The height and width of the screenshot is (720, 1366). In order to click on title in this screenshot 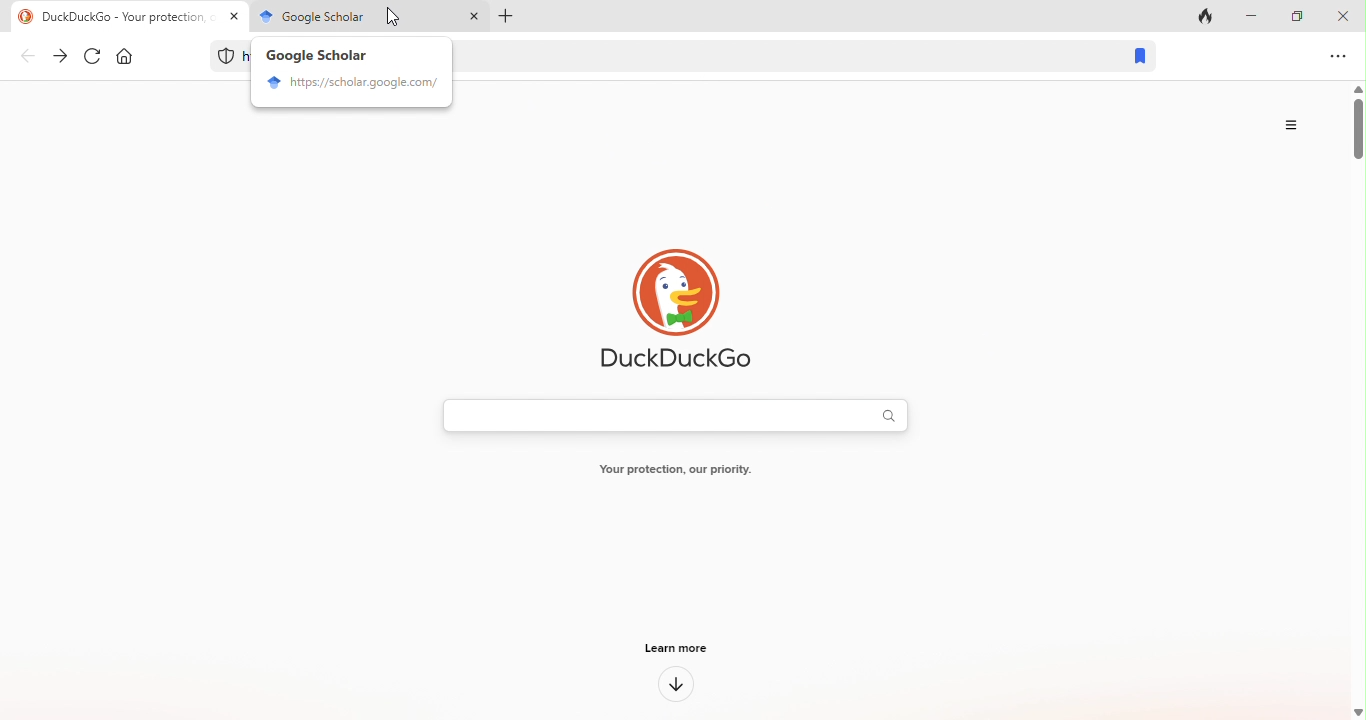, I will do `click(124, 15)`.